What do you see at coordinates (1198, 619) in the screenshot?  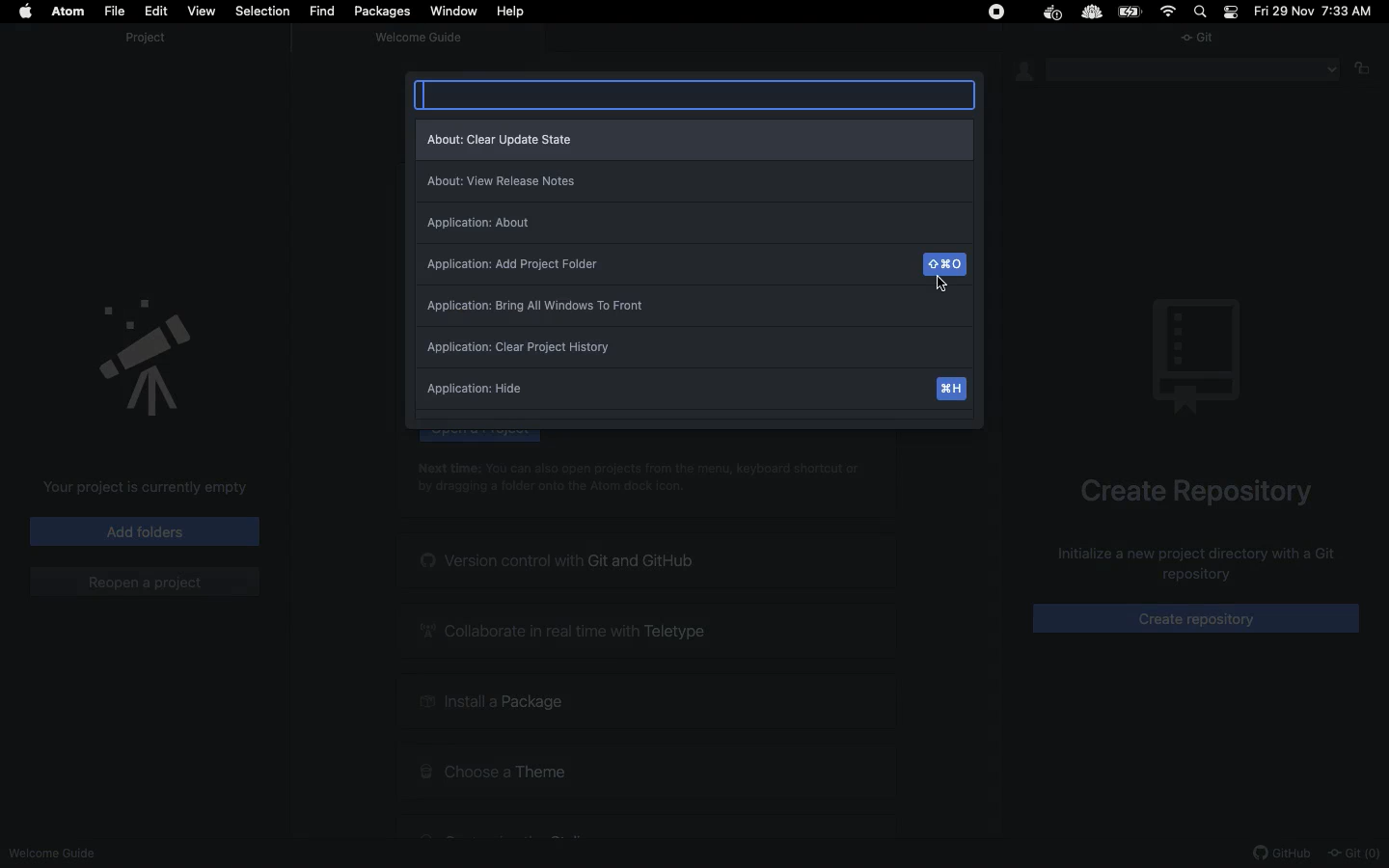 I see `Create repository ` at bounding box center [1198, 619].